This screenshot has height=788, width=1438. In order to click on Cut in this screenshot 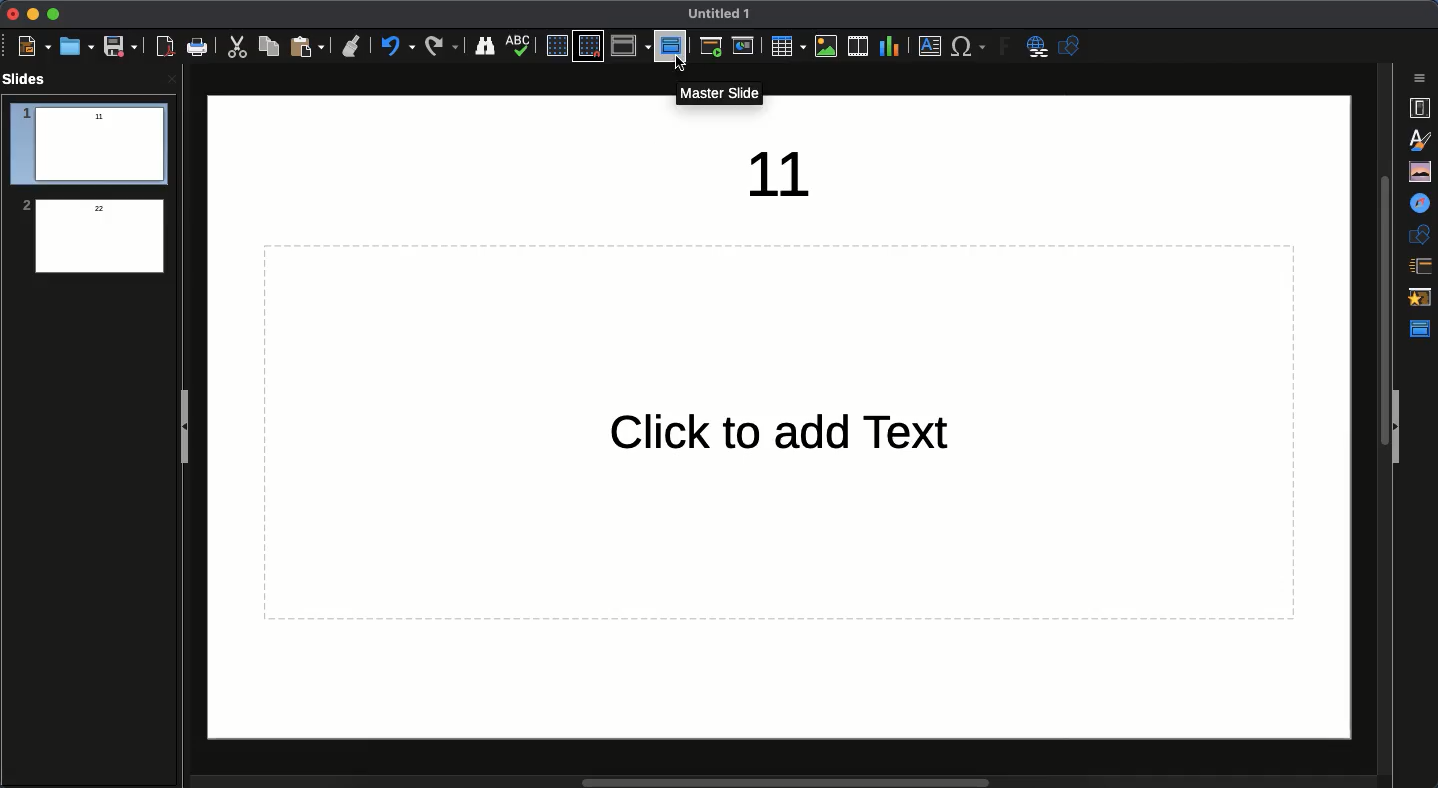, I will do `click(240, 47)`.